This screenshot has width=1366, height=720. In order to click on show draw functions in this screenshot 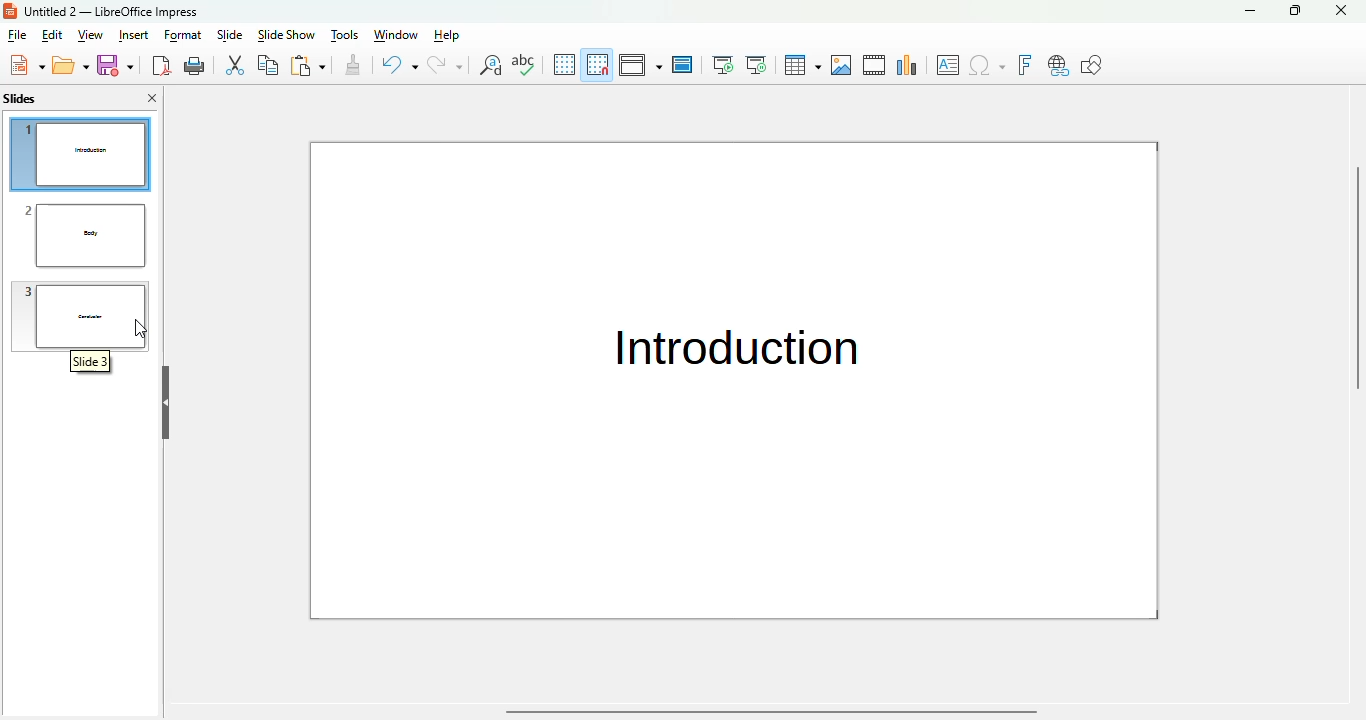, I will do `click(1093, 65)`.